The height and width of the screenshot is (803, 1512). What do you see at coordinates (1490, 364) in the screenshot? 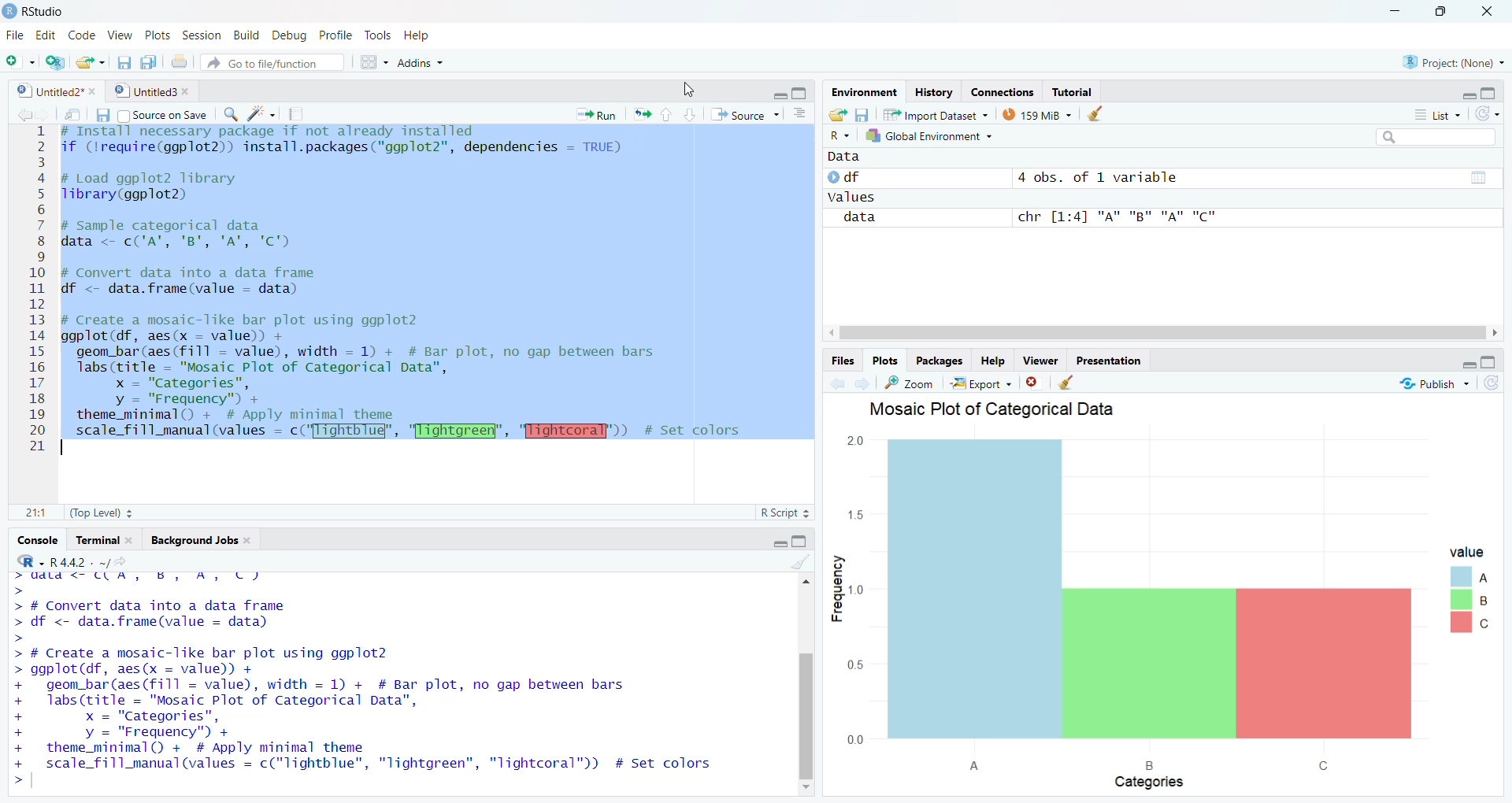
I see `Maximize` at bounding box center [1490, 364].